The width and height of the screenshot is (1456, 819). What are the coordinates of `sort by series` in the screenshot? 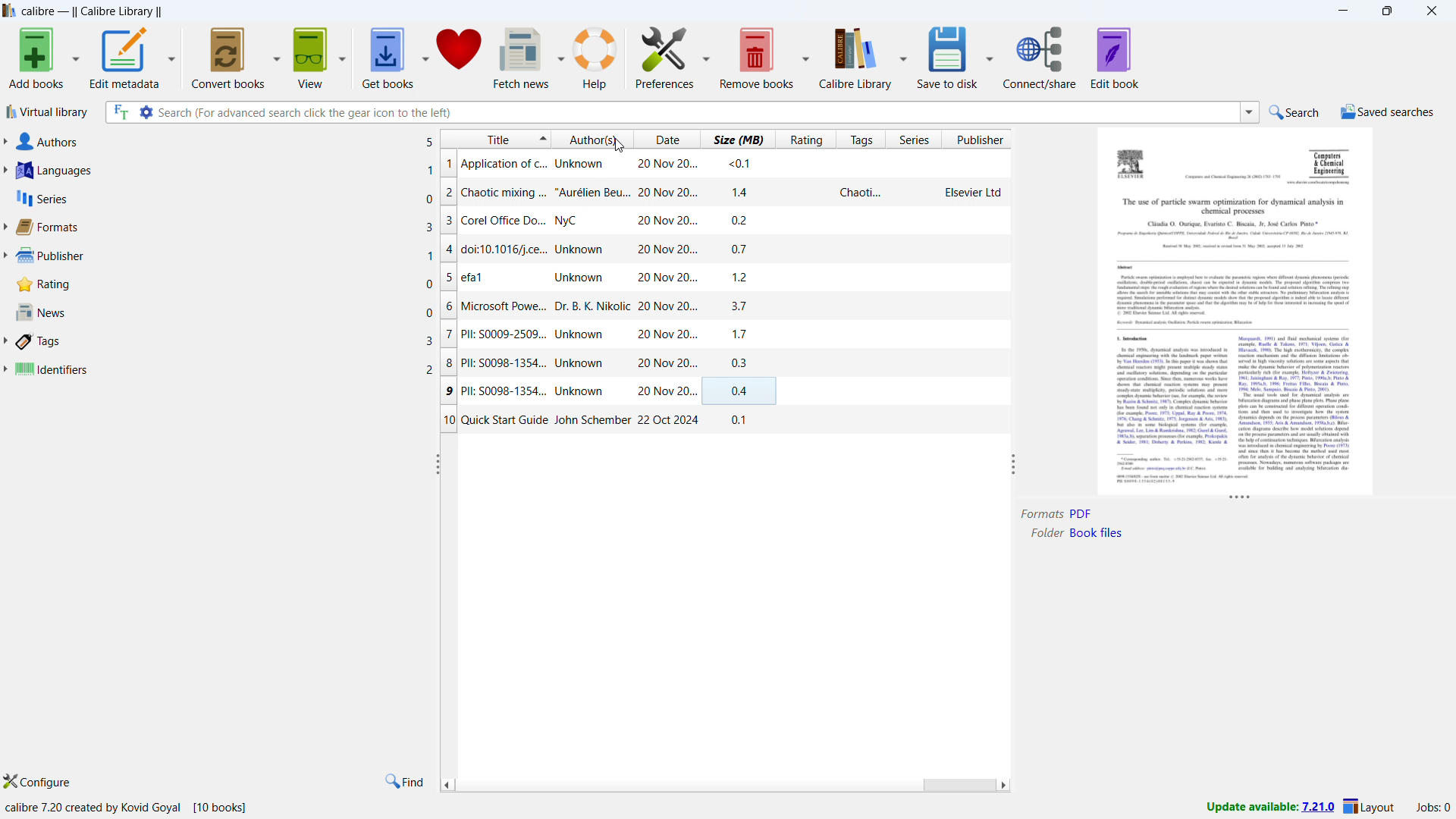 It's located at (913, 139).